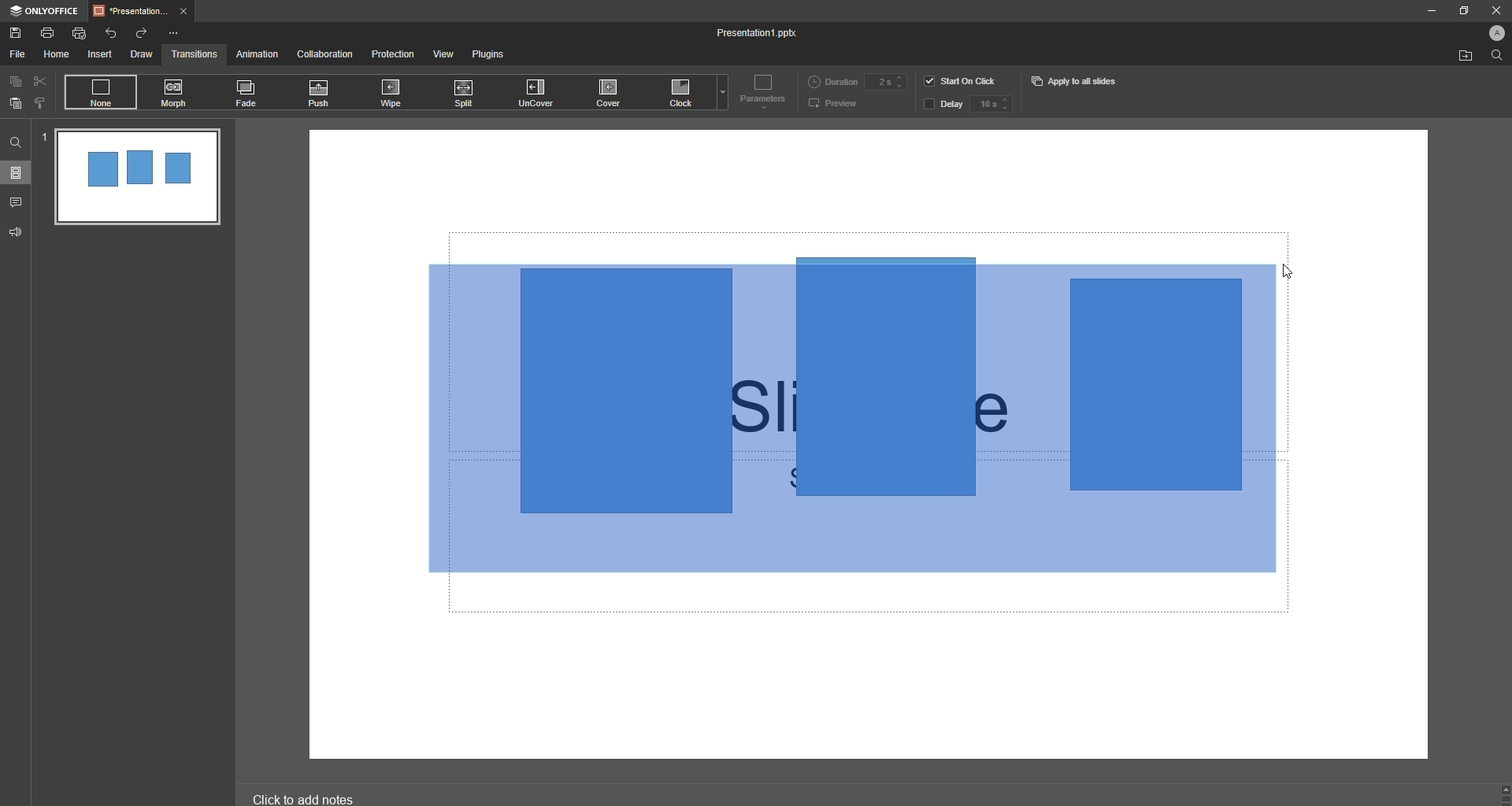  What do you see at coordinates (846, 426) in the screenshot?
I see `Drag screen (selected 3 shapes)` at bounding box center [846, 426].